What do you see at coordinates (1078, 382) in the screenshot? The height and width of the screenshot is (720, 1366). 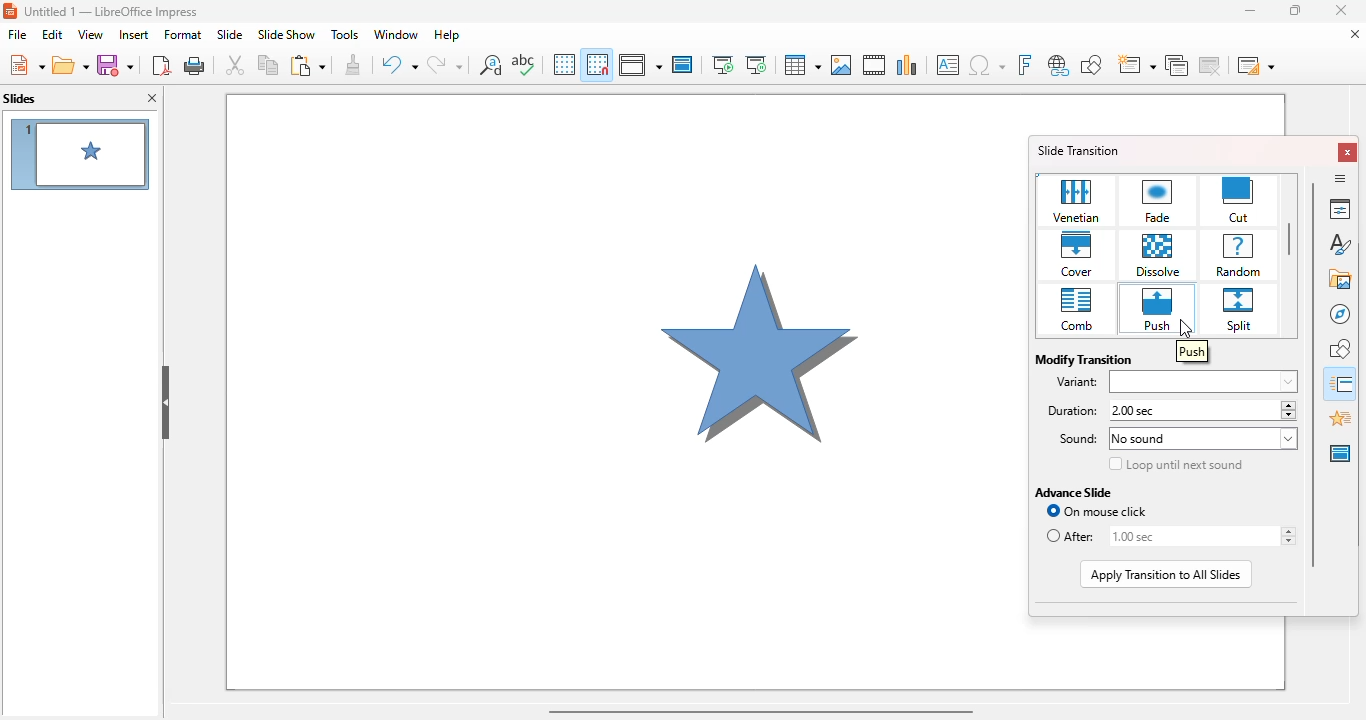 I see `variant` at bounding box center [1078, 382].